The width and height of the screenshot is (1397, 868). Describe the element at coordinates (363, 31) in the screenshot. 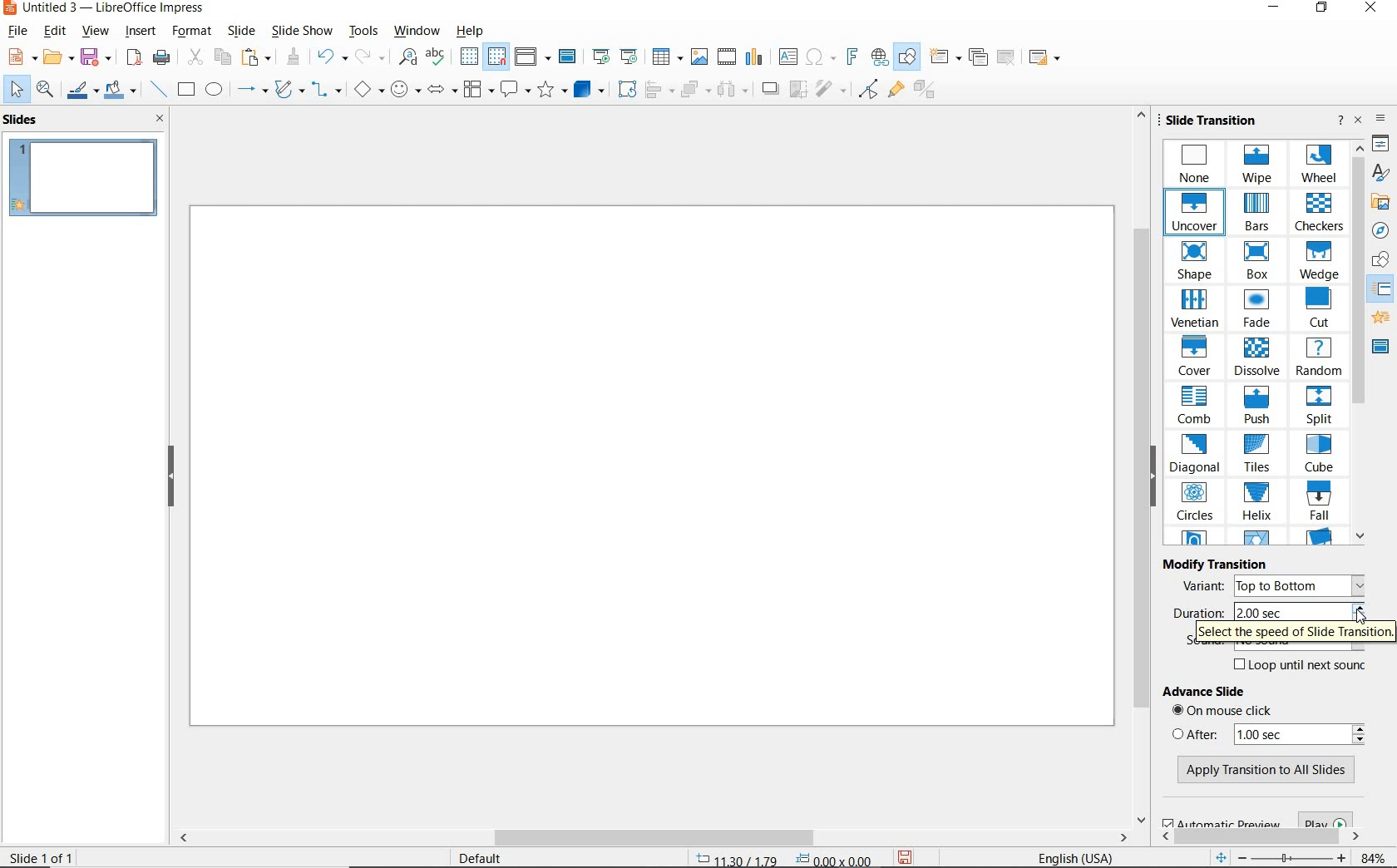

I see `TOOLS` at that location.